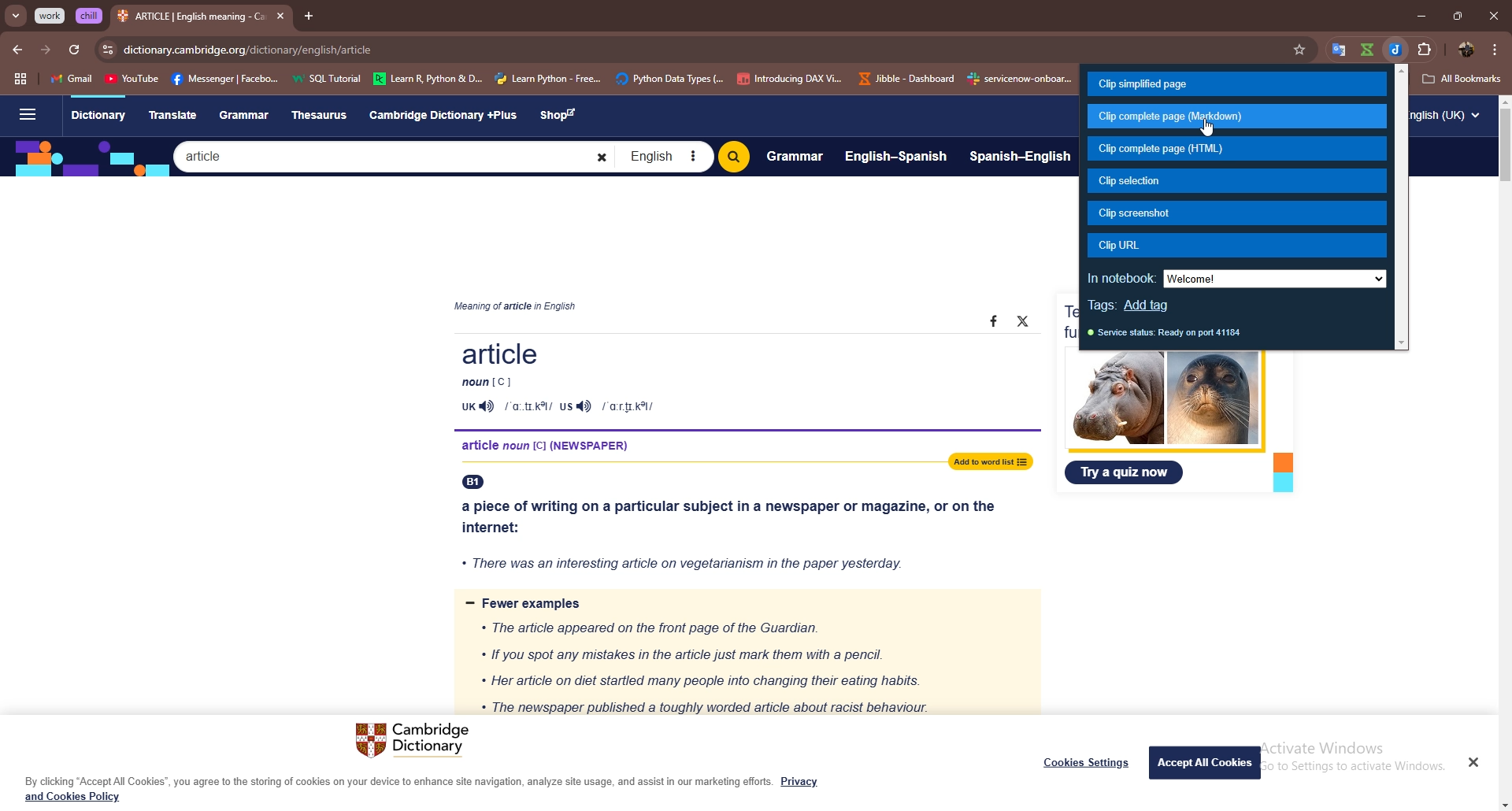  What do you see at coordinates (394, 156) in the screenshot?
I see `Search bar` at bounding box center [394, 156].